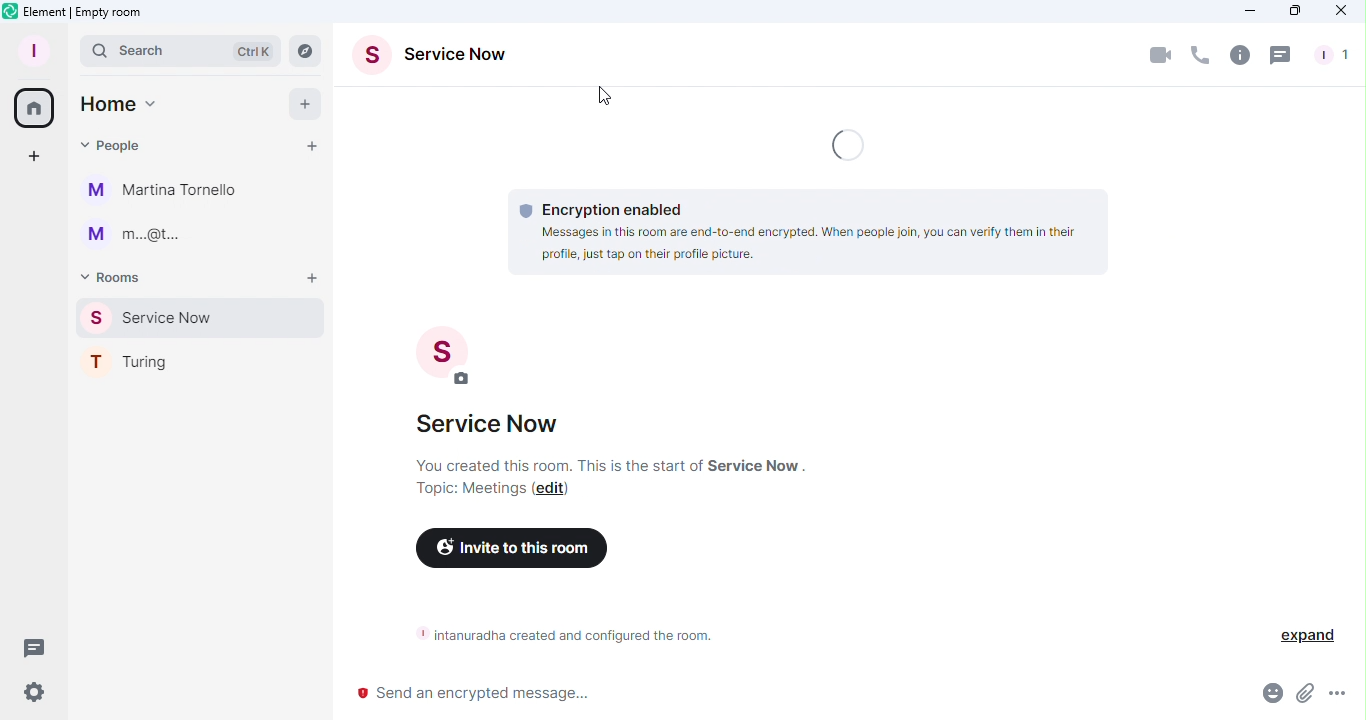 Image resolution: width=1366 pixels, height=720 pixels. I want to click on Settings, so click(34, 692).